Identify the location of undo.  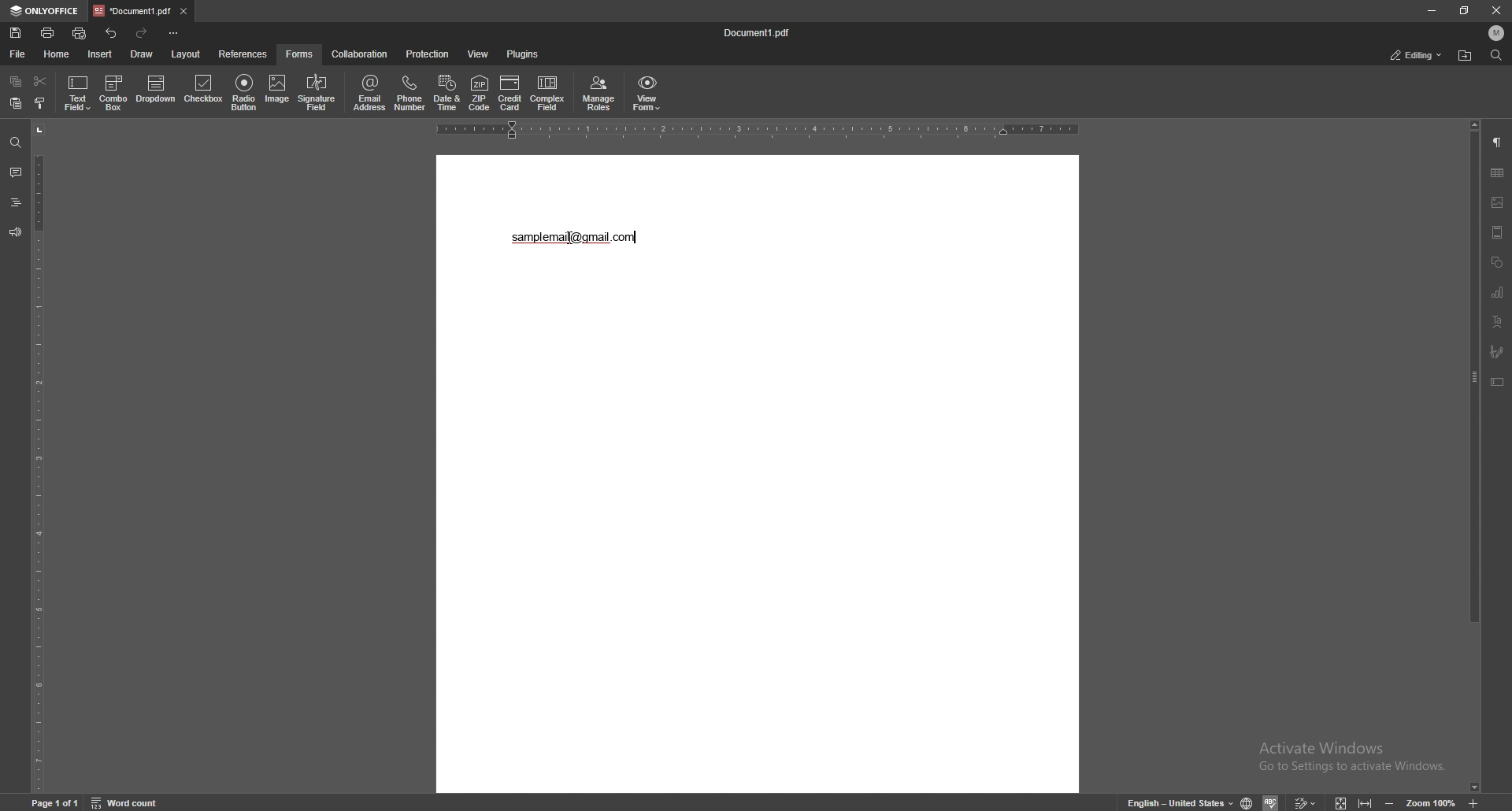
(112, 34).